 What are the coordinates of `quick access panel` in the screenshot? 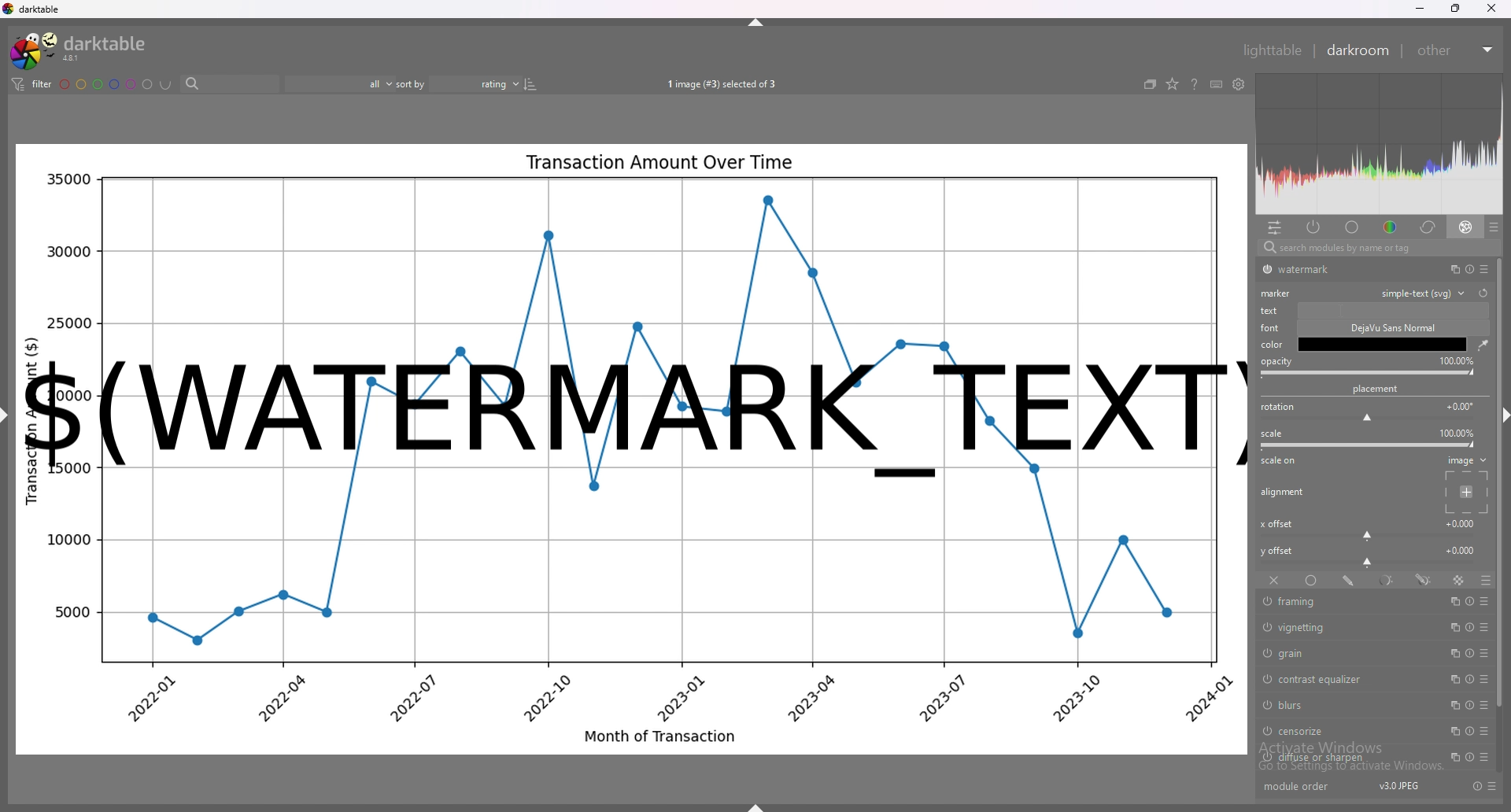 It's located at (1274, 227).